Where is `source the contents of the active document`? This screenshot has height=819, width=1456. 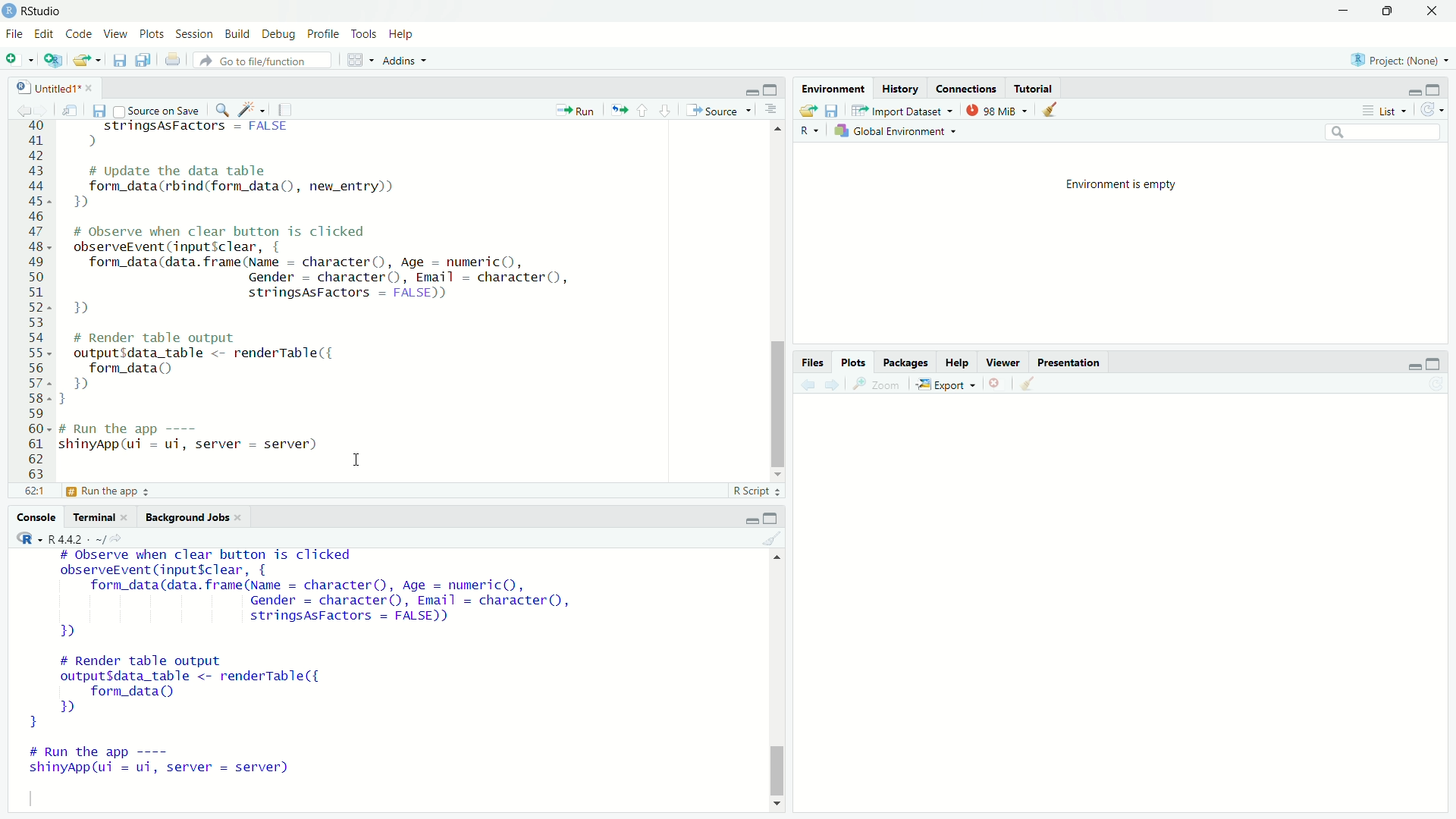 source the contents of the active document is located at coordinates (717, 111).